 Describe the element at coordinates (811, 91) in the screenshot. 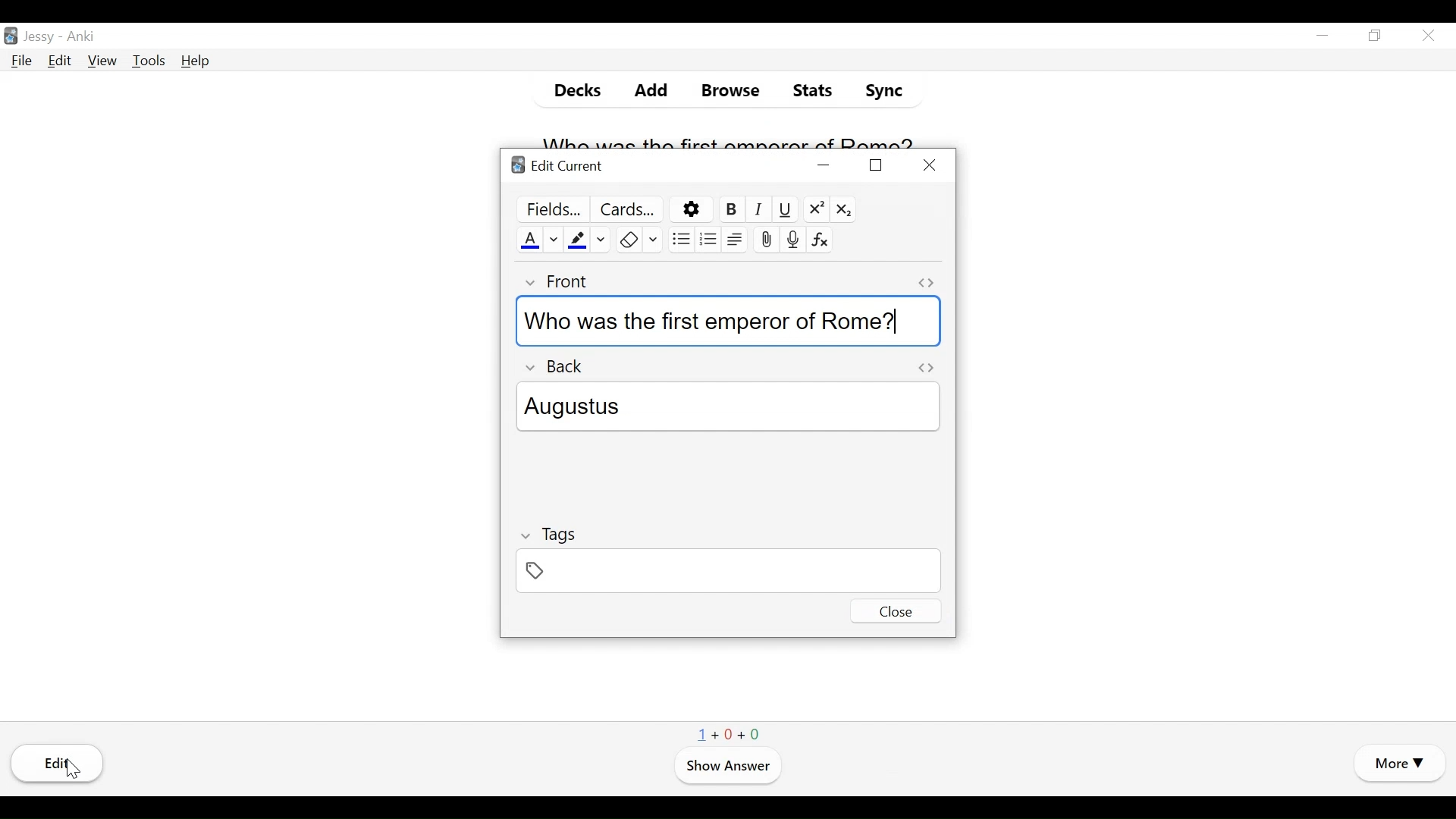

I see `Stats` at that location.